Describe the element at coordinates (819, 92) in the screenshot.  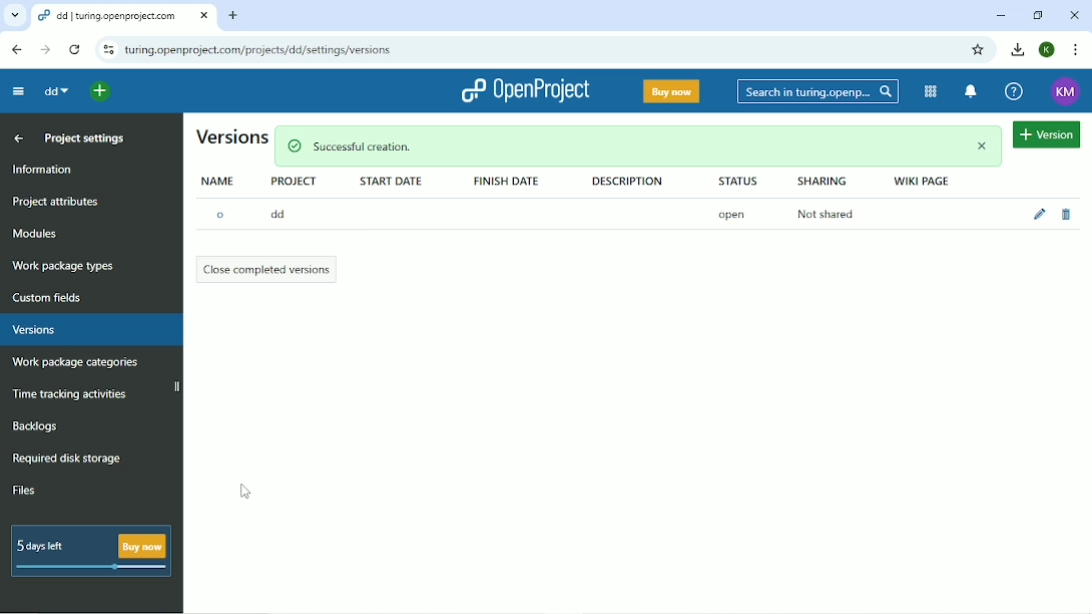
I see `Search` at that location.